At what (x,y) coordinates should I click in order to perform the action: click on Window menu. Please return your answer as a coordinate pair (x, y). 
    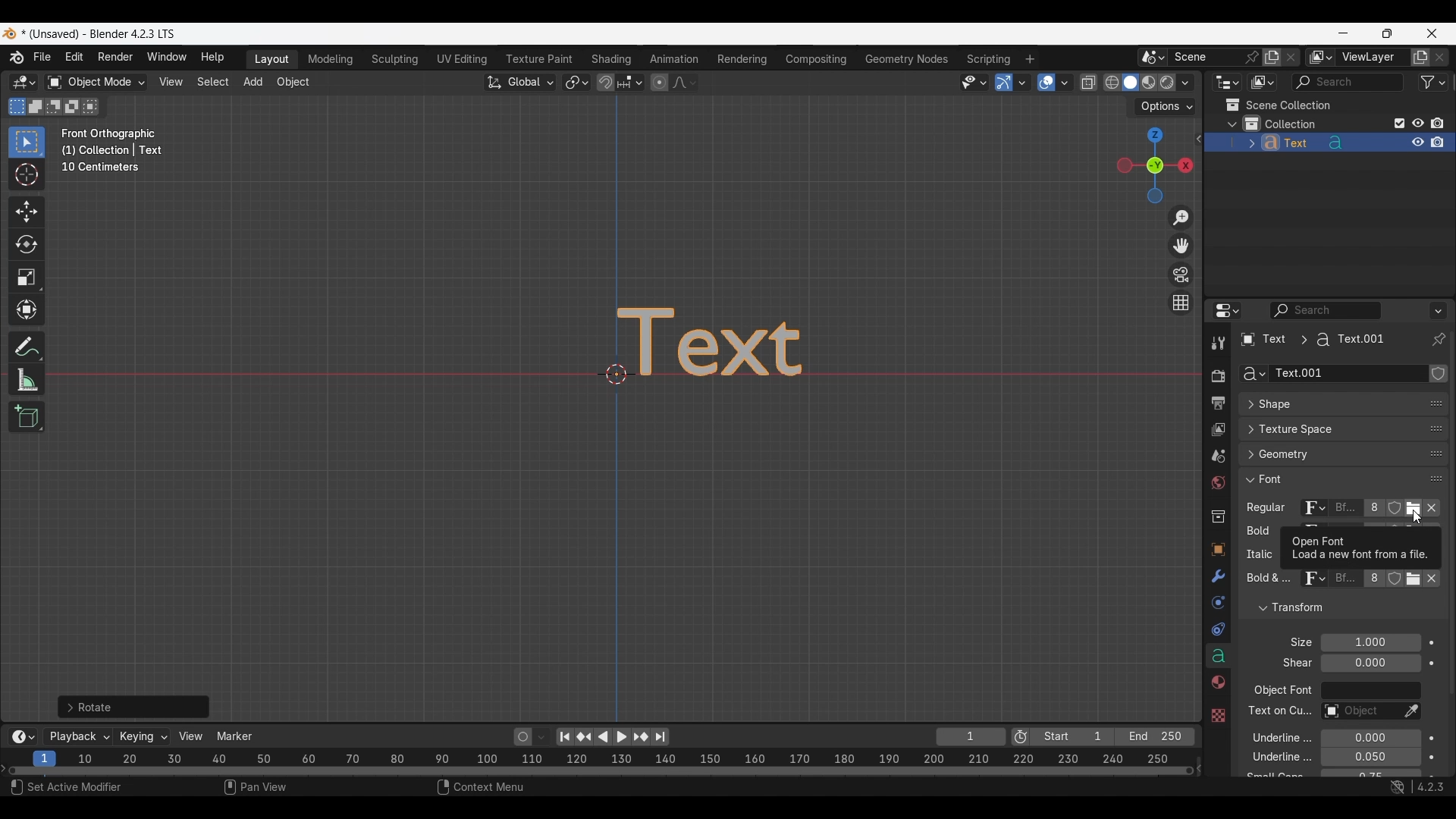
    Looking at the image, I should click on (167, 58).